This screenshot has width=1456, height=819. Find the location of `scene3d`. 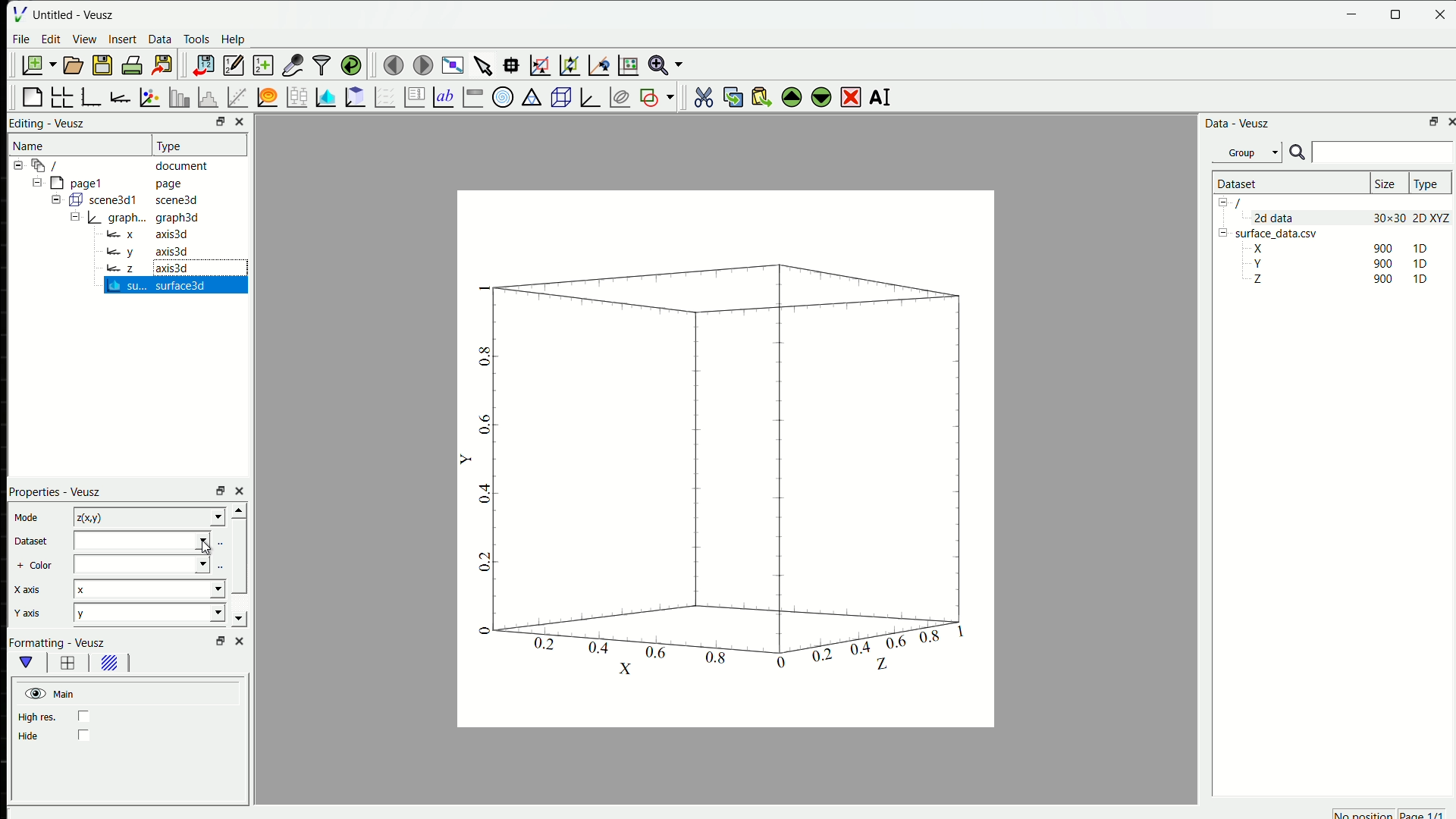

scene3d is located at coordinates (177, 201).